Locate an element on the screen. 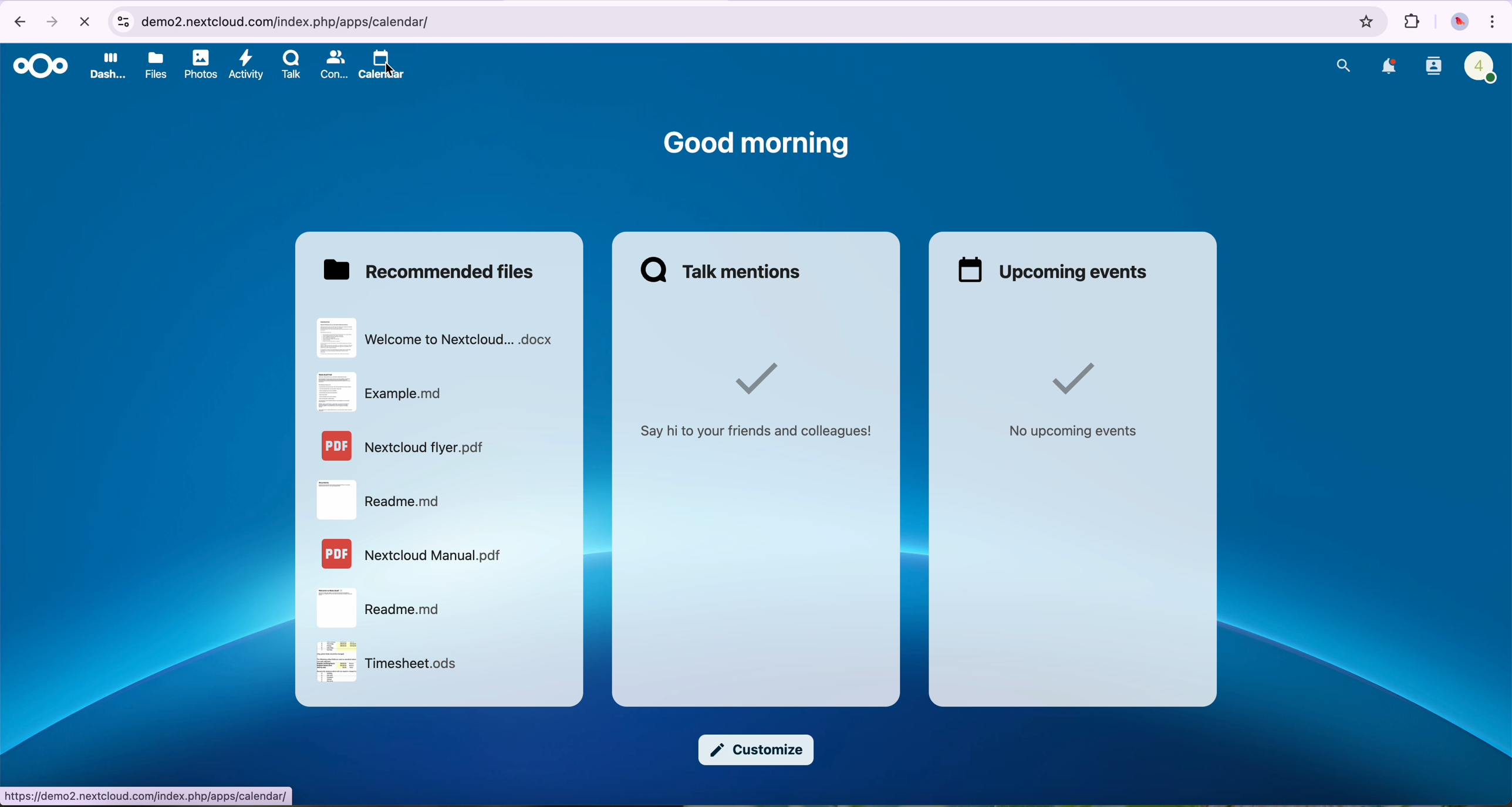  navigate foward is located at coordinates (50, 23).